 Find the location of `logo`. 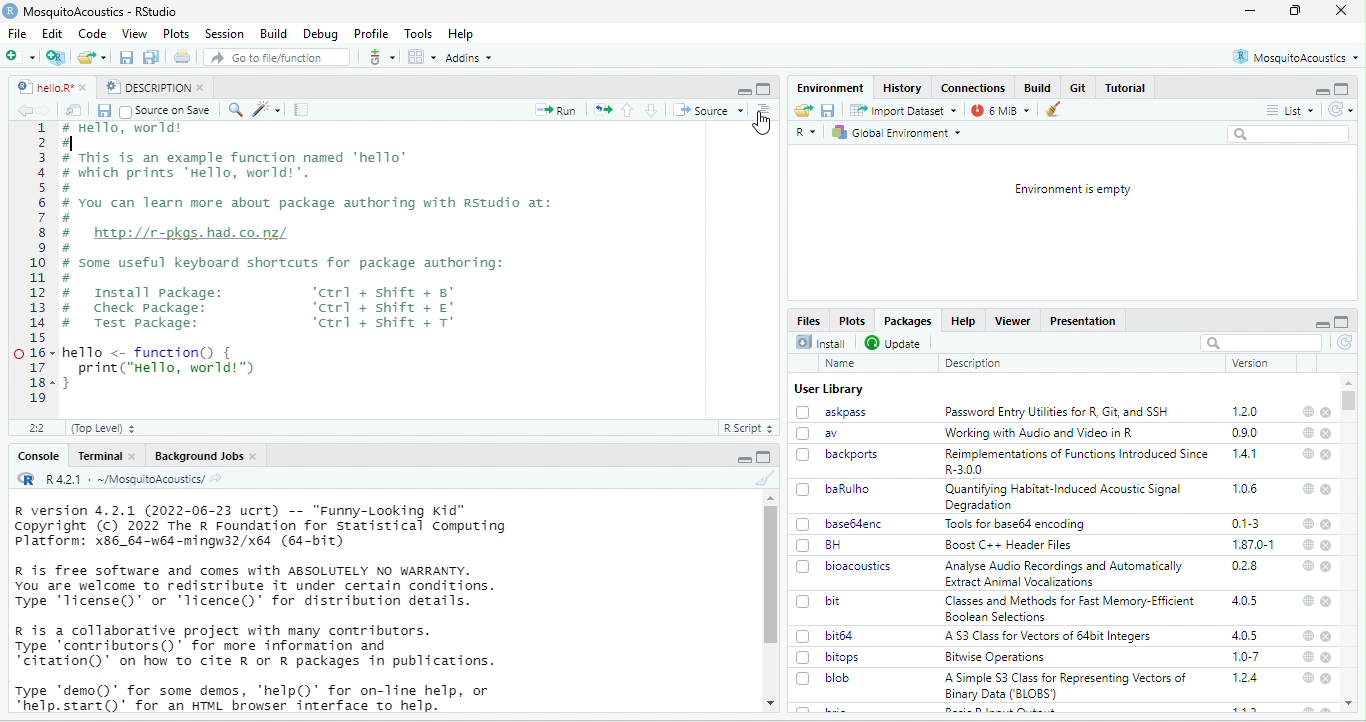

logo is located at coordinates (10, 11).